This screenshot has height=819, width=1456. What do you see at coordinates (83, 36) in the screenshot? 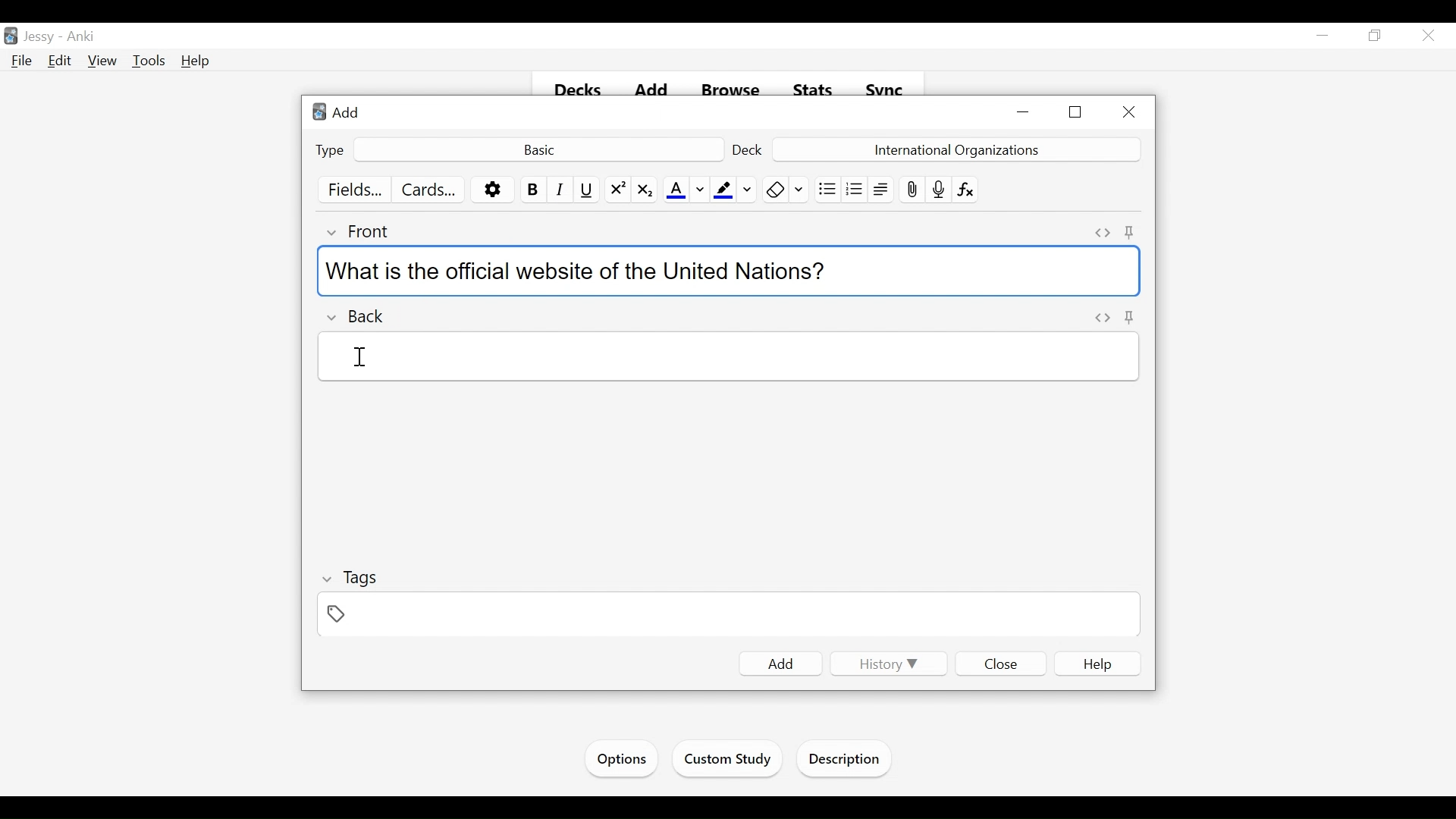
I see `Anki` at bounding box center [83, 36].